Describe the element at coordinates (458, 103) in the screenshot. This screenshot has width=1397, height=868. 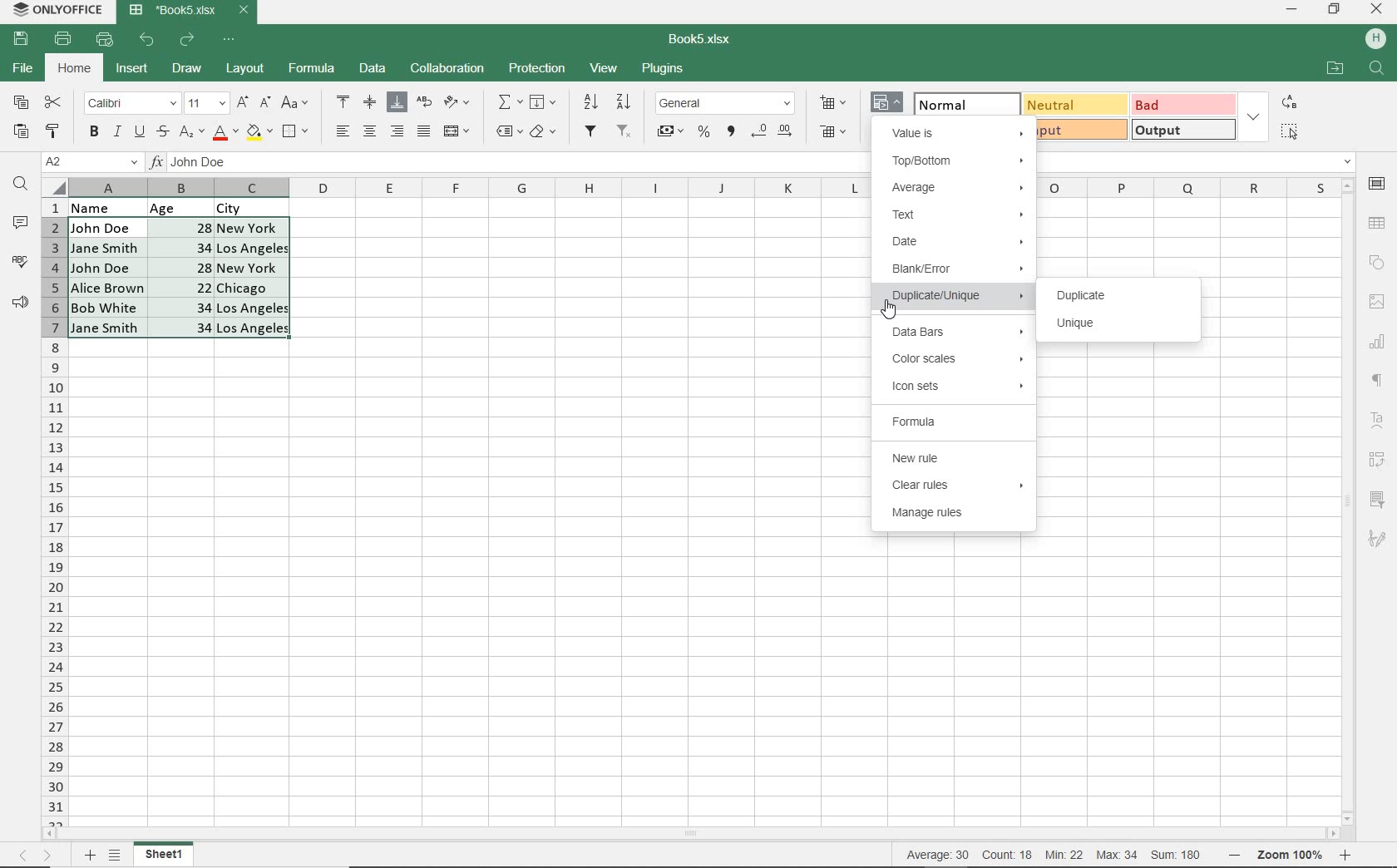
I see `ORIENTATION` at that location.